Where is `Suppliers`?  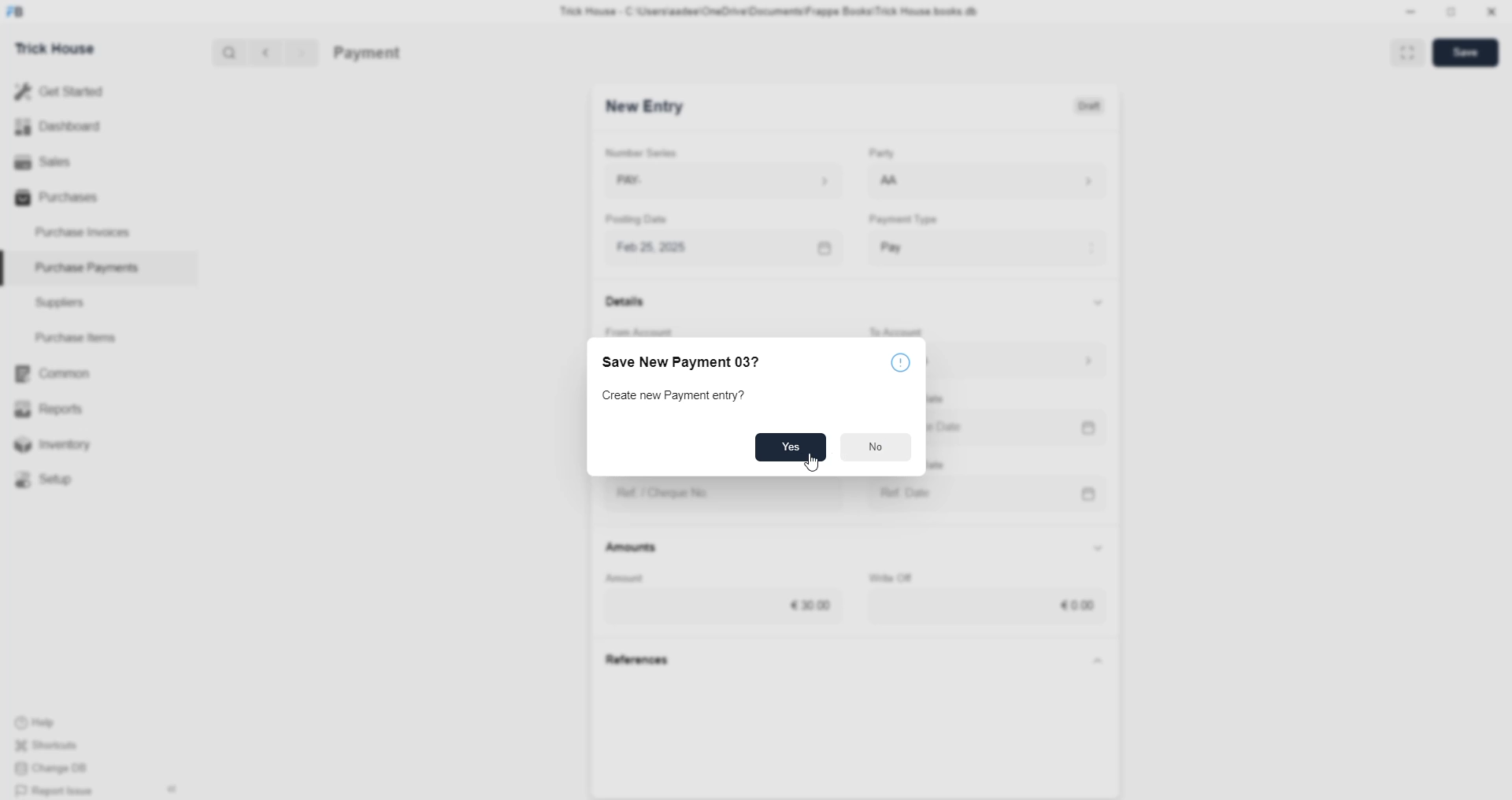
Suppliers is located at coordinates (54, 302).